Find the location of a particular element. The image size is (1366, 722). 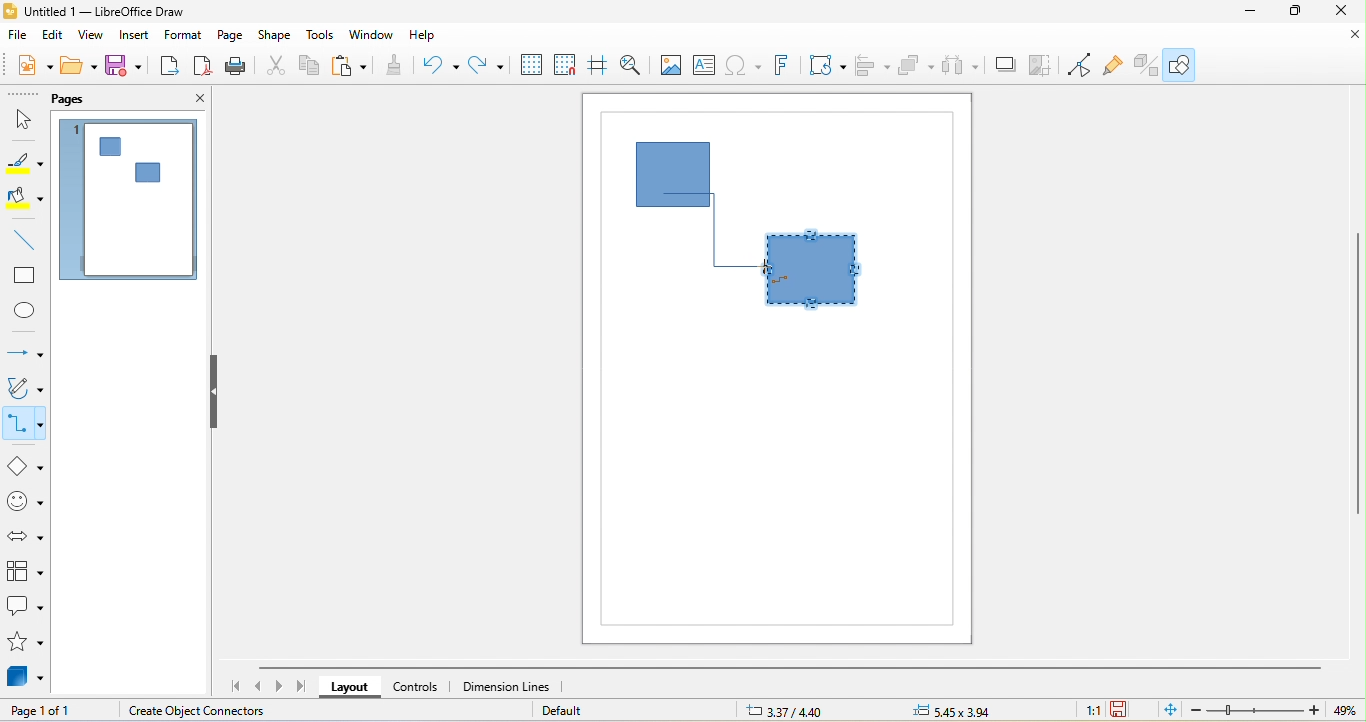

pags is located at coordinates (80, 101).